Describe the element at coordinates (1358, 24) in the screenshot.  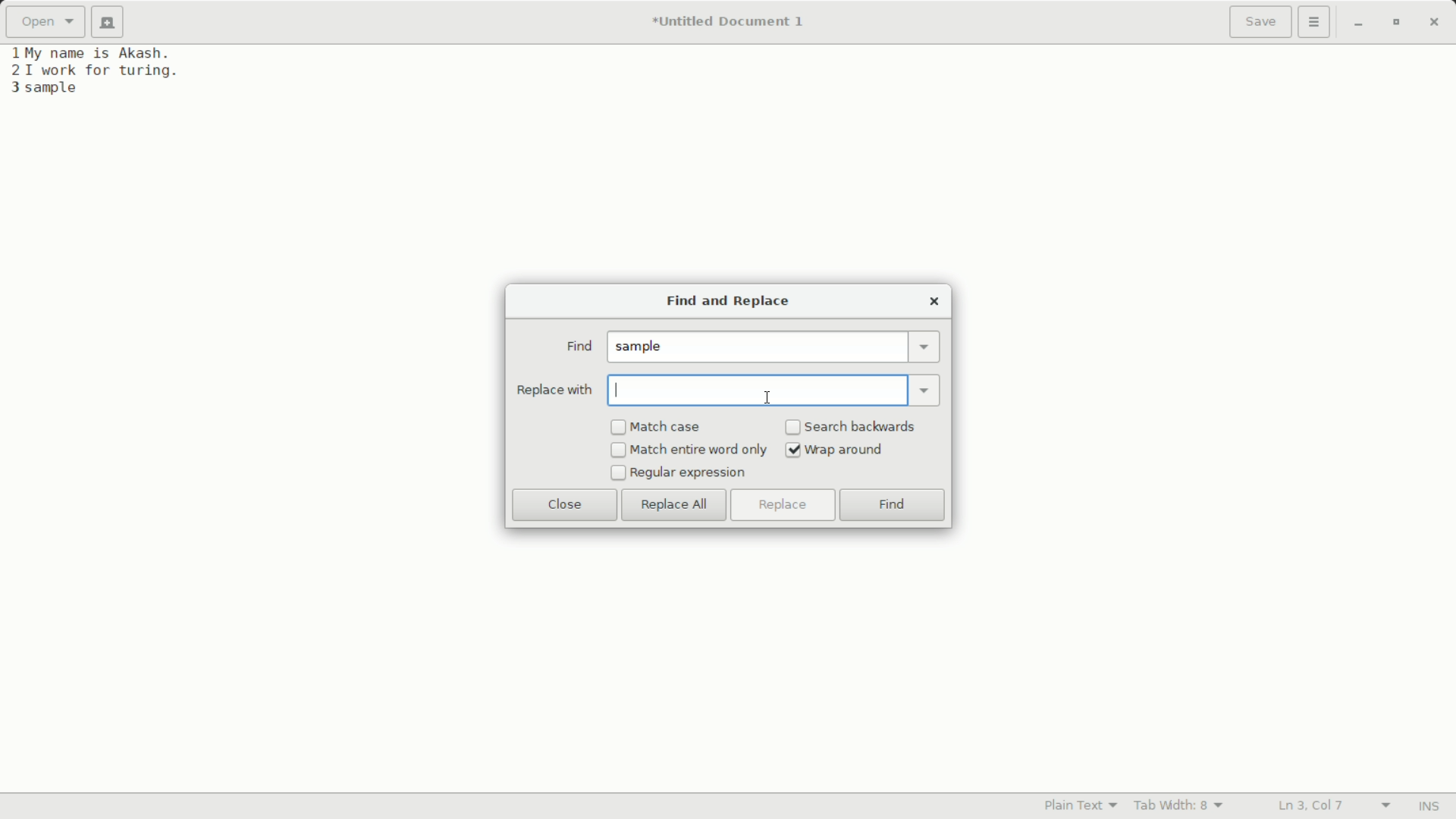
I see `minimize` at that location.